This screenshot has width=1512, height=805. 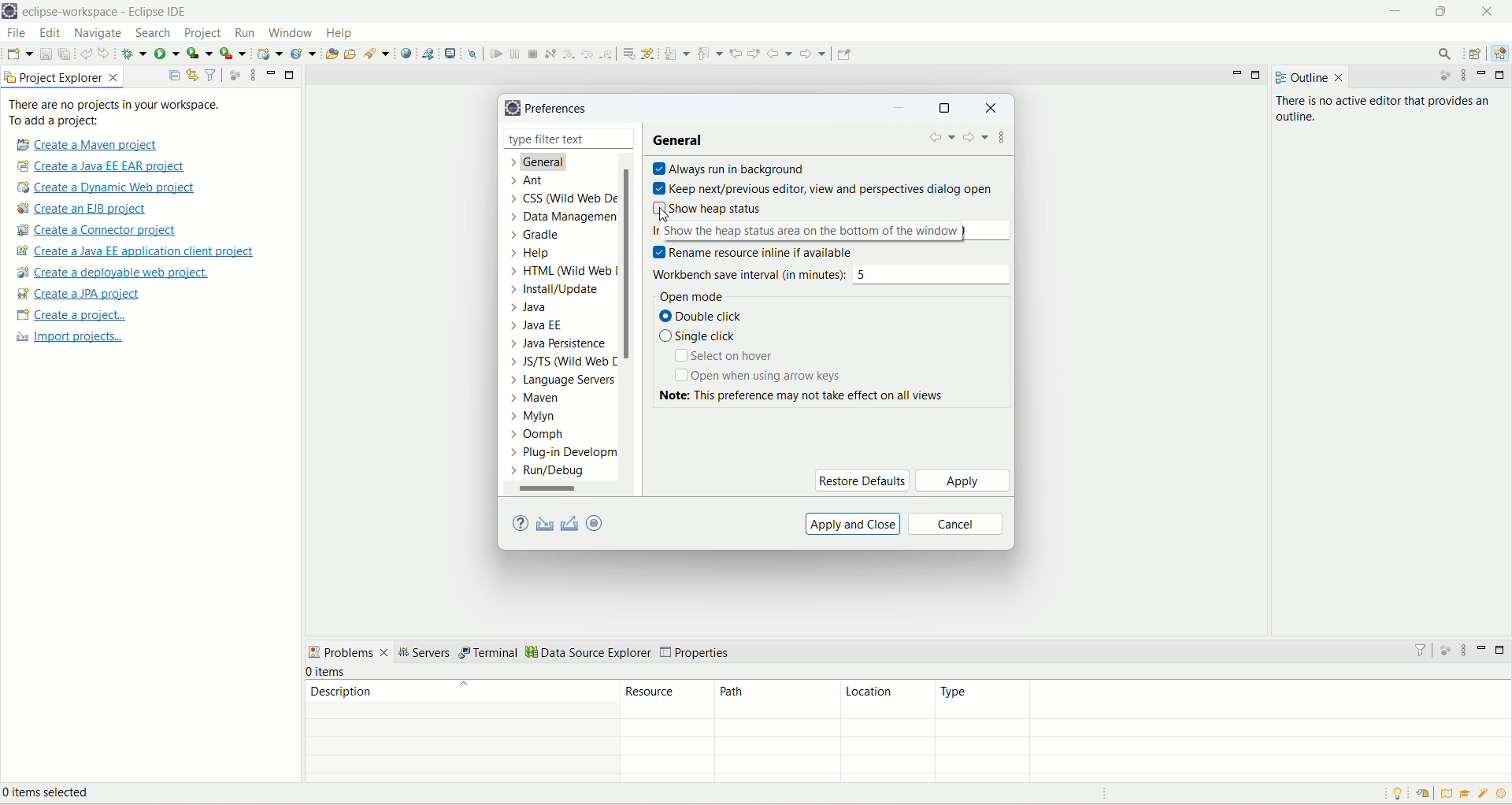 What do you see at coordinates (406, 54) in the screenshot?
I see `open web service` at bounding box center [406, 54].